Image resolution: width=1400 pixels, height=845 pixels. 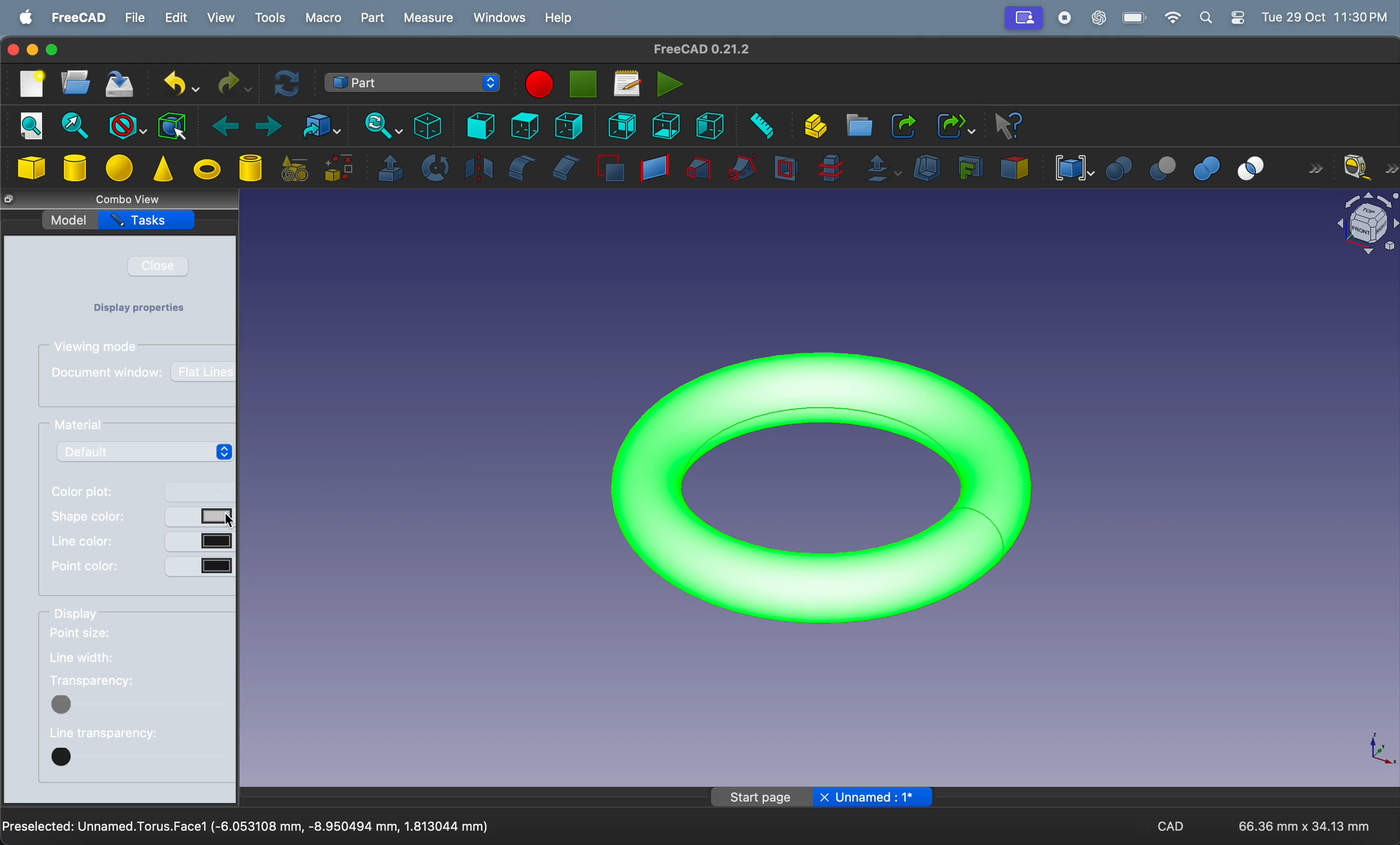 I want to click on shape color, so click(x=88, y=517).